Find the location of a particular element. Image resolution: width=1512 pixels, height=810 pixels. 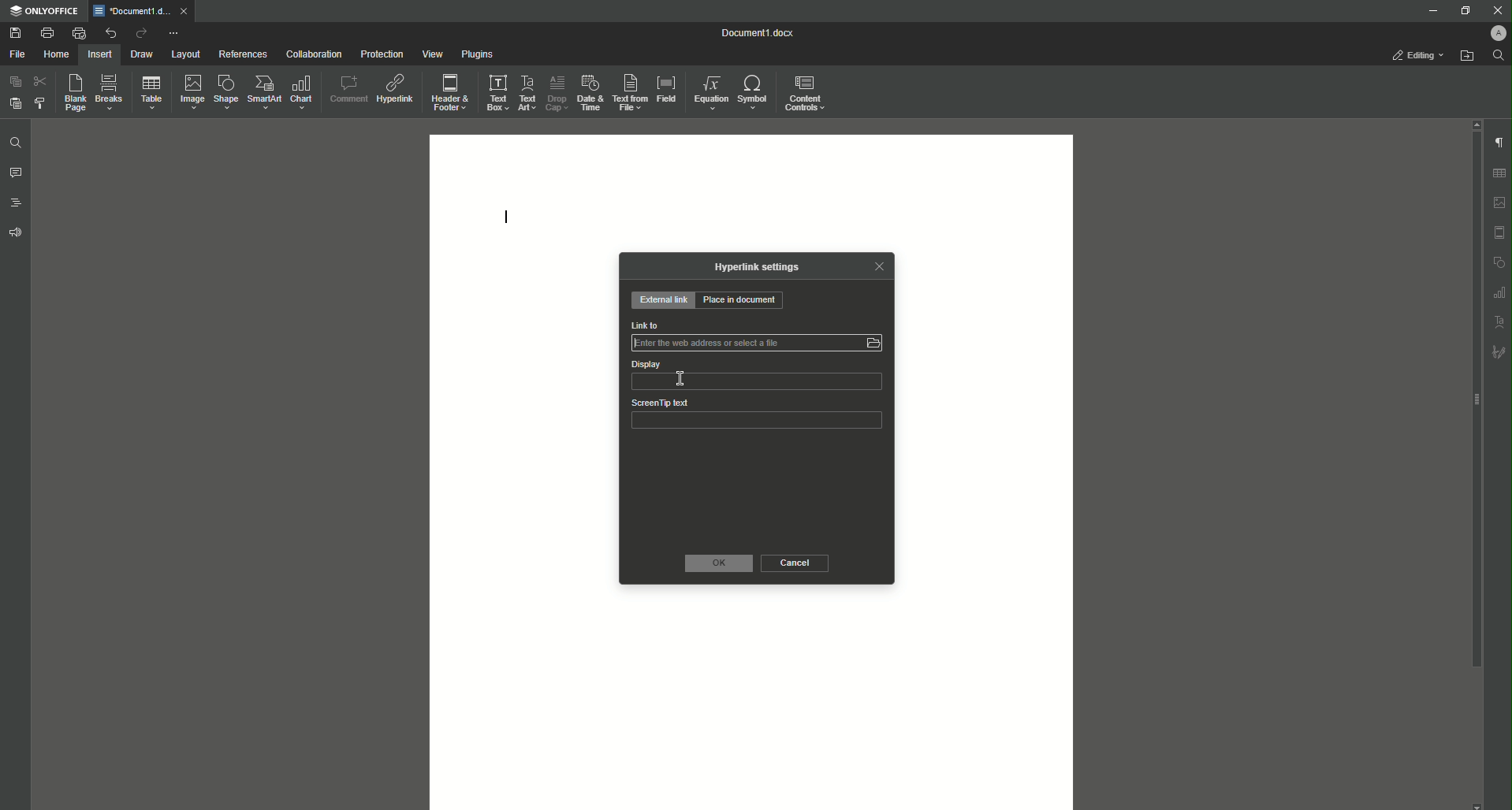

Profile is located at coordinates (1492, 33).